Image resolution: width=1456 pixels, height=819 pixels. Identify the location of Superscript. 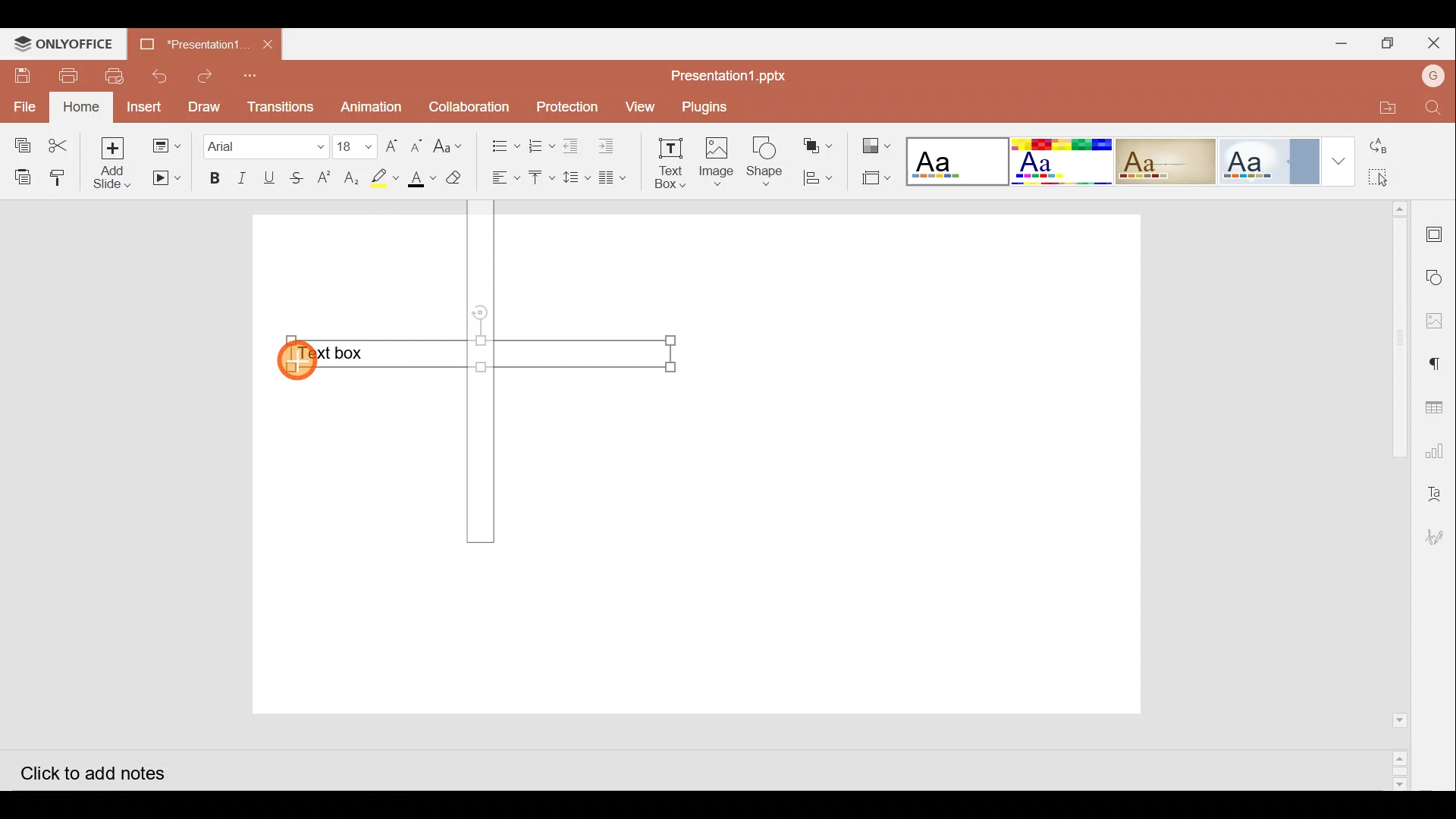
(328, 179).